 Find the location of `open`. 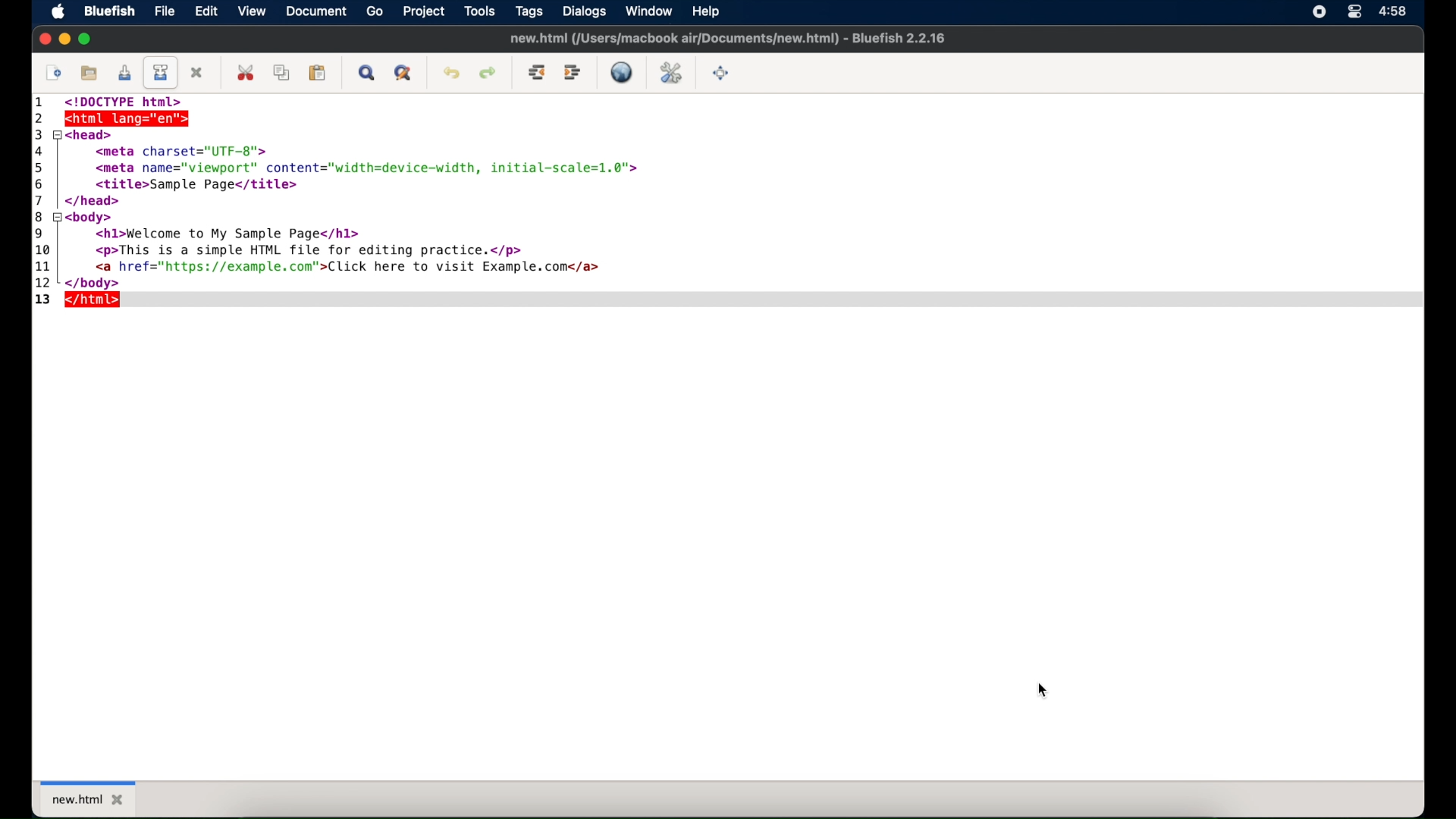

open is located at coordinates (90, 74).